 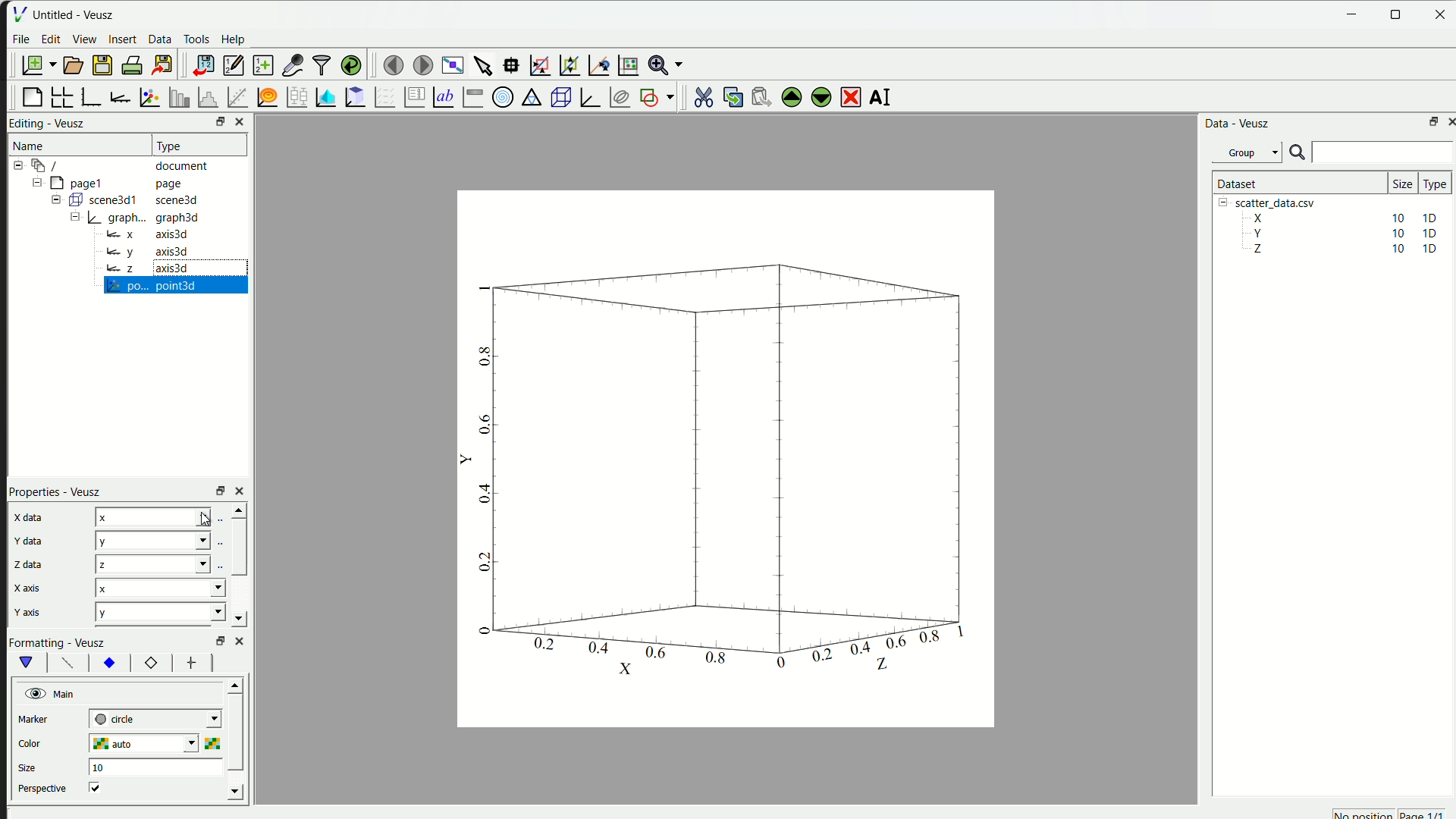 What do you see at coordinates (170, 515) in the screenshot?
I see `z` at bounding box center [170, 515].